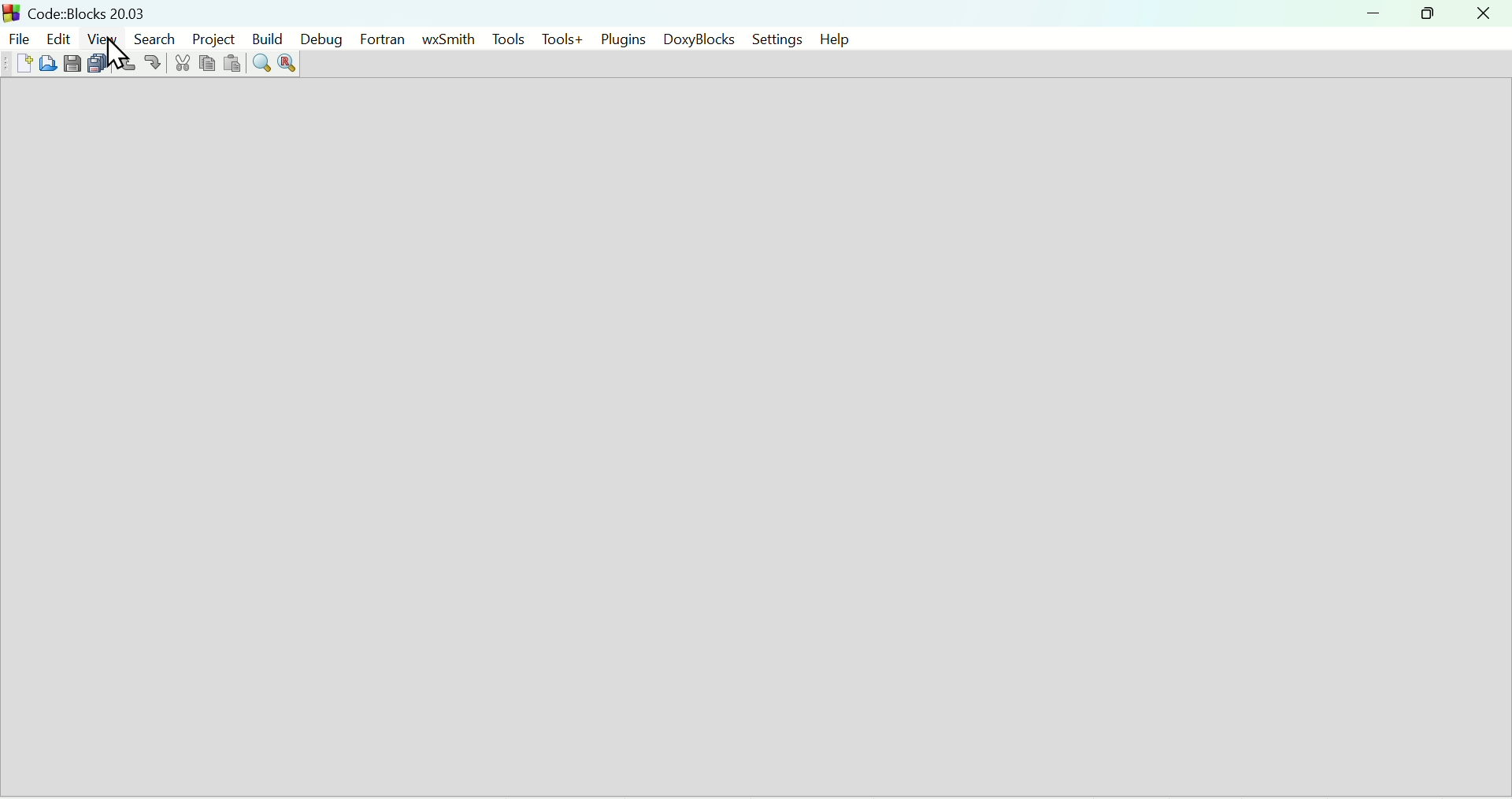 Image resolution: width=1512 pixels, height=799 pixels. Describe the element at coordinates (384, 39) in the screenshot. I see `Fortran` at that location.